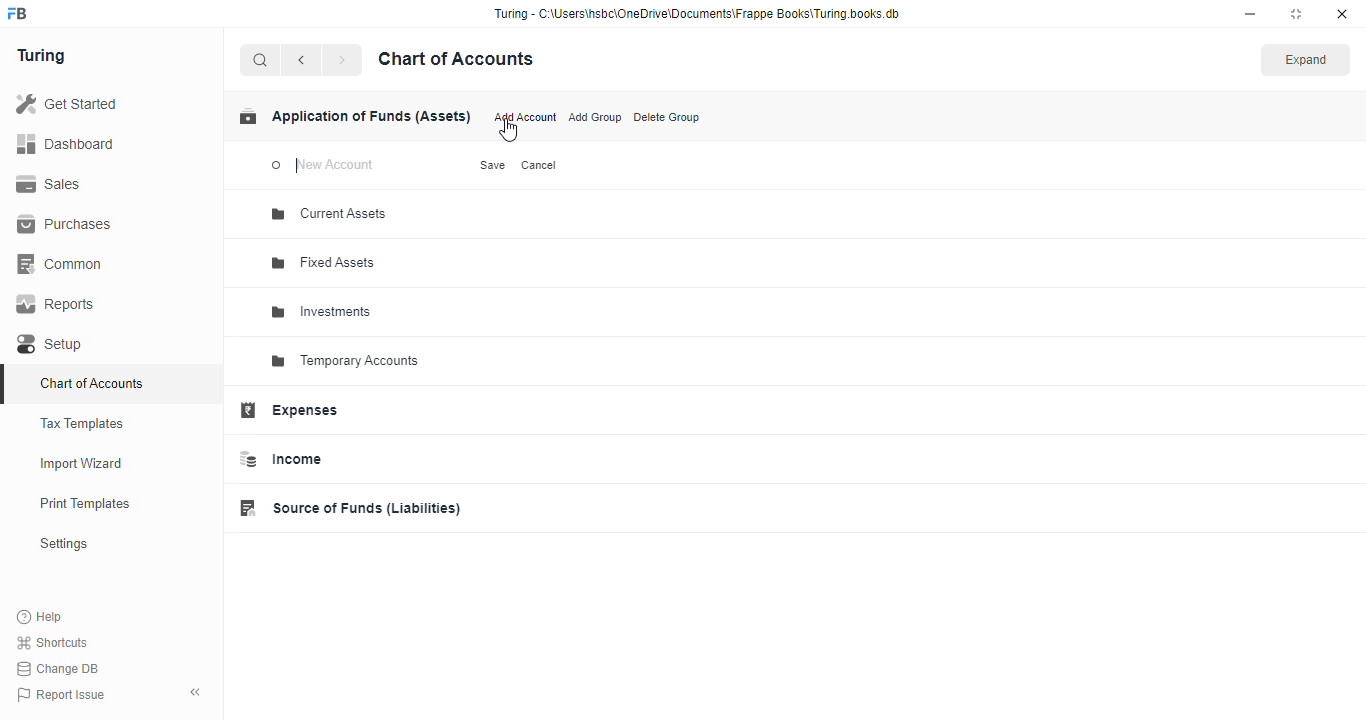  What do you see at coordinates (92, 383) in the screenshot?
I see `chart of accounts` at bounding box center [92, 383].